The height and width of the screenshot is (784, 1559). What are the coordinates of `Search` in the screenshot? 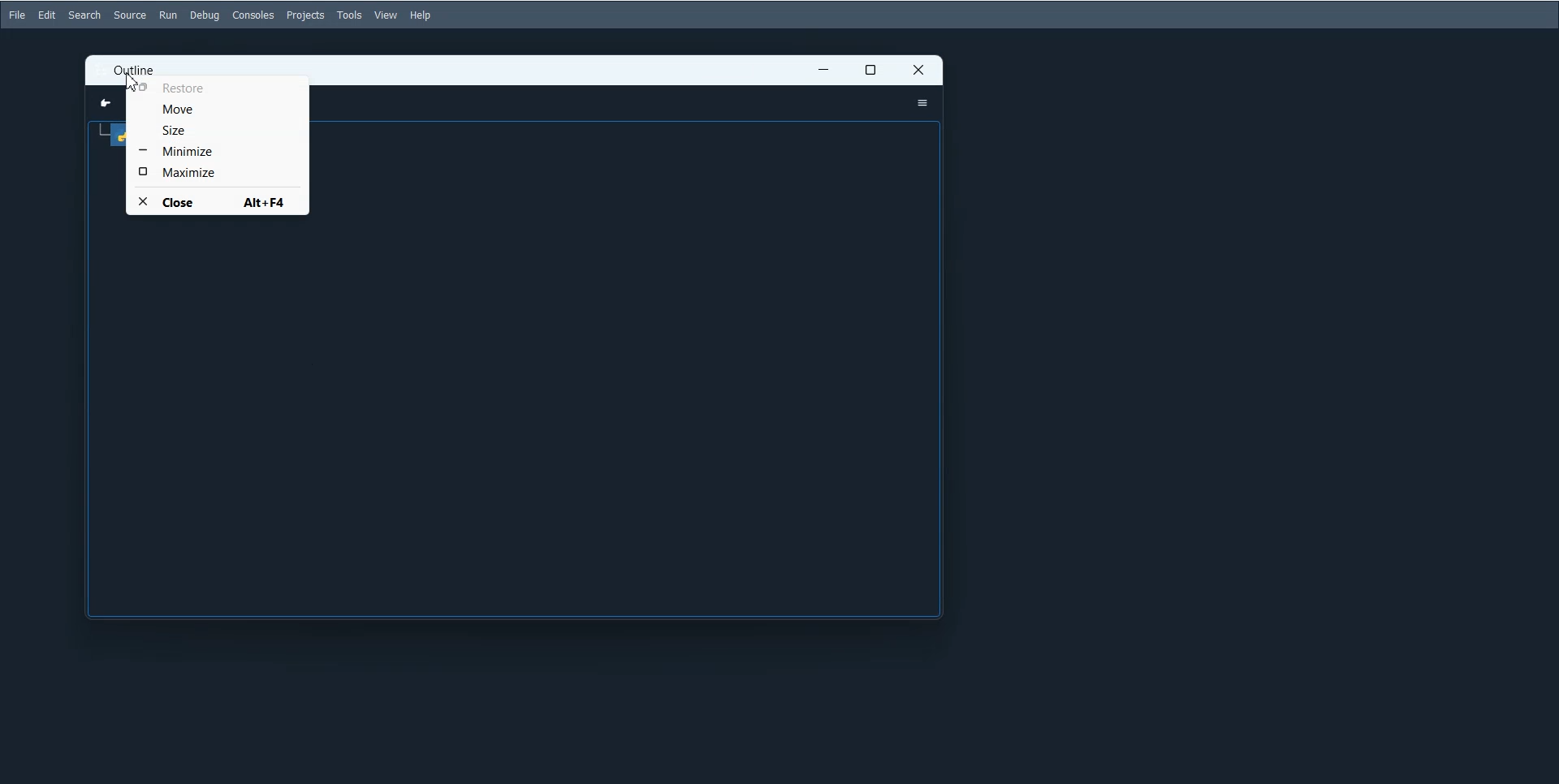 It's located at (84, 15).